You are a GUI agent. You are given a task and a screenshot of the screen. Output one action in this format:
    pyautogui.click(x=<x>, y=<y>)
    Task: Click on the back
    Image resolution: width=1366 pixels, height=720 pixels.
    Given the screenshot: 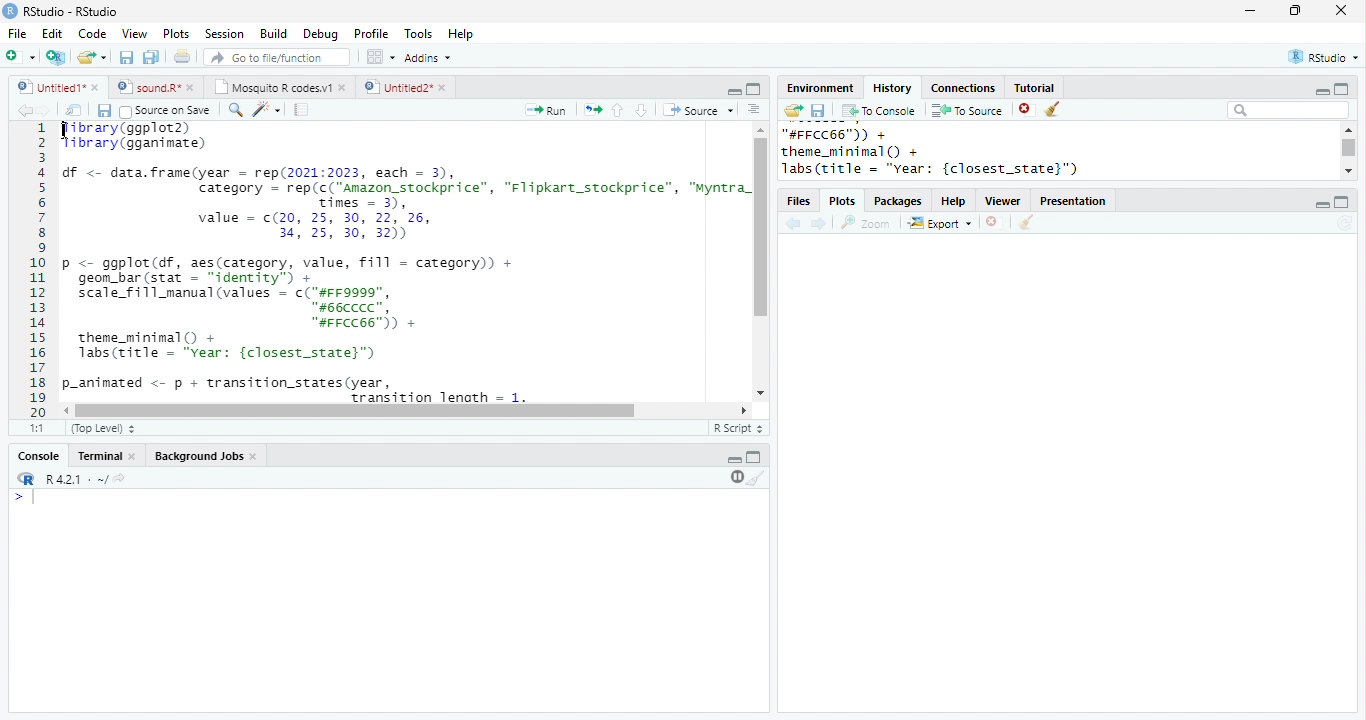 What is the action you would take?
    pyautogui.click(x=23, y=110)
    